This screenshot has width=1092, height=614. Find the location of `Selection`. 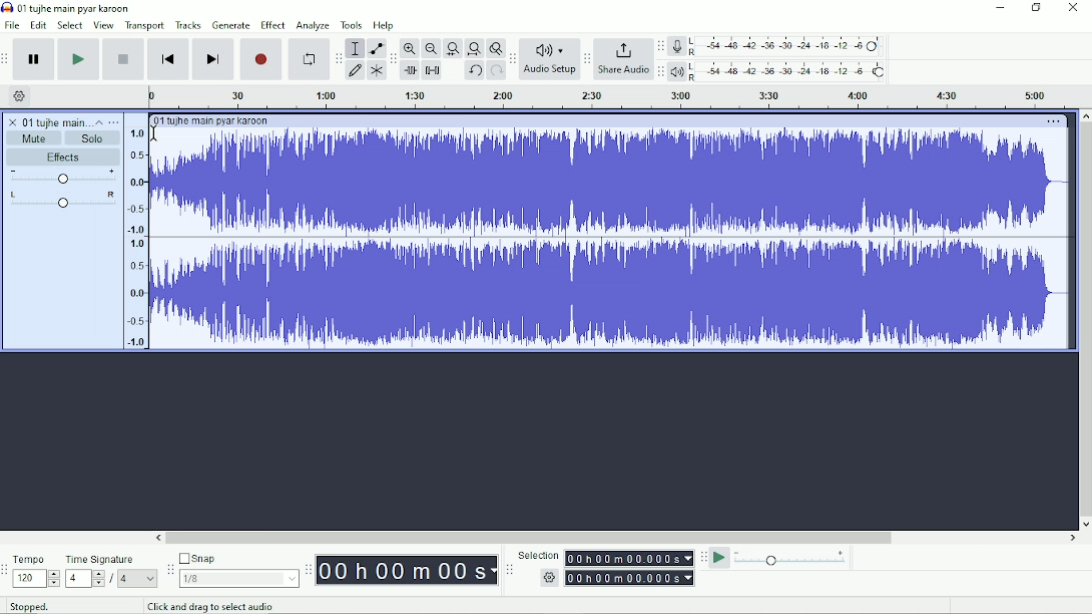

Selection is located at coordinates (538, 554).